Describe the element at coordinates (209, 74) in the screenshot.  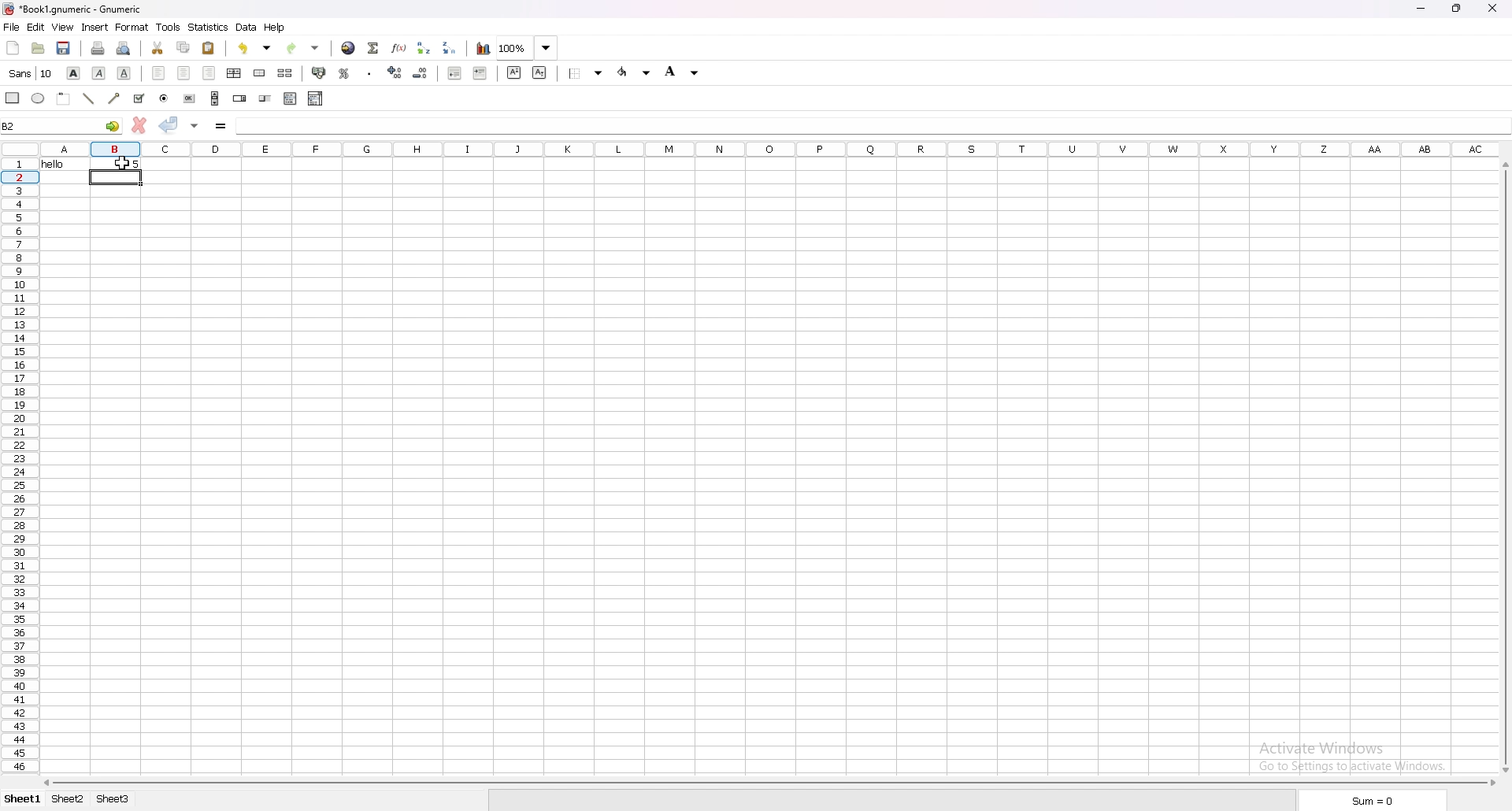
I see `align right` at that location.